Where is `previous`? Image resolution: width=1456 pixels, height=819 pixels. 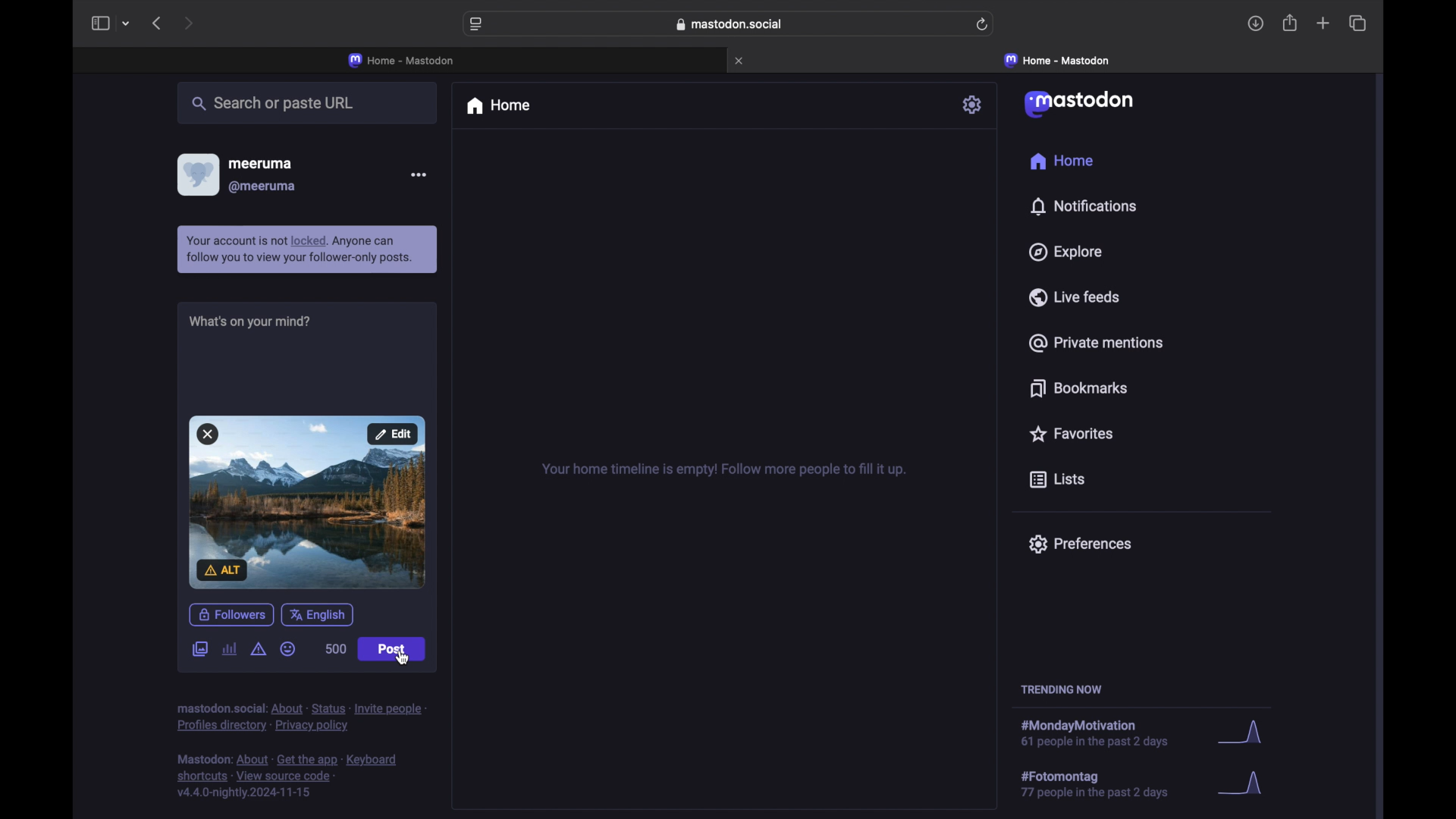 previous is located at coordinates (158, 24).